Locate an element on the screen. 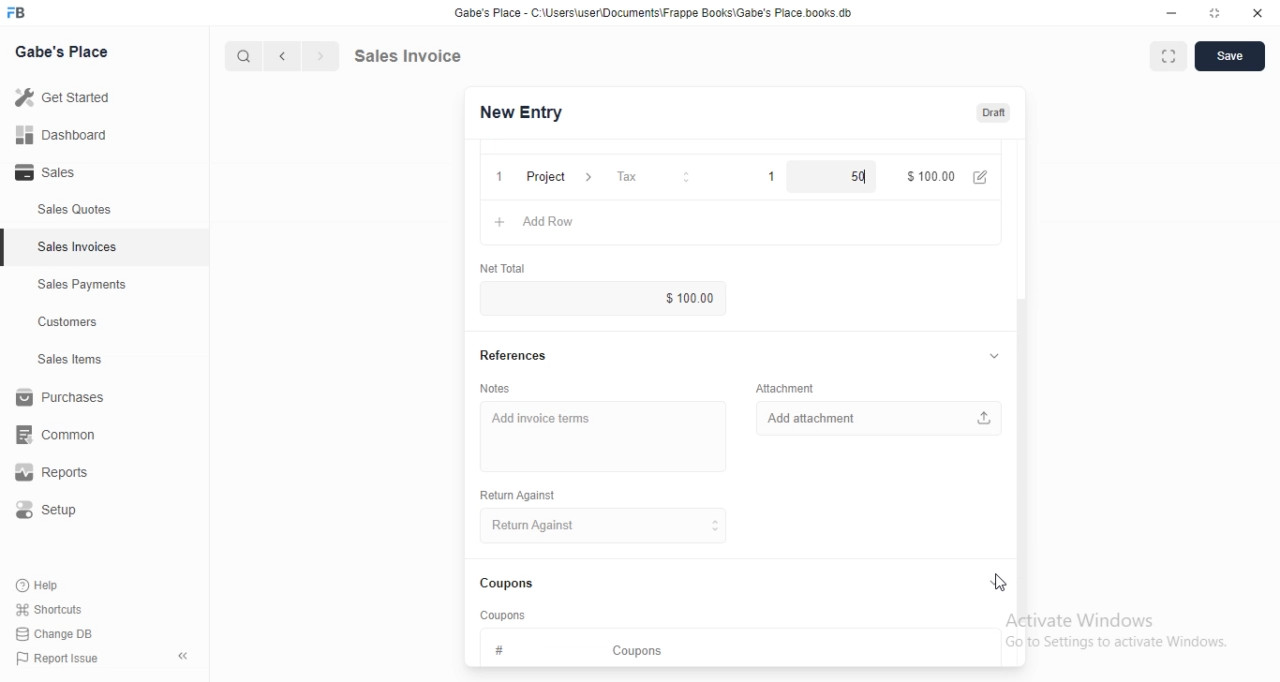  Add invoice terms is located at coordinates (604, 430).